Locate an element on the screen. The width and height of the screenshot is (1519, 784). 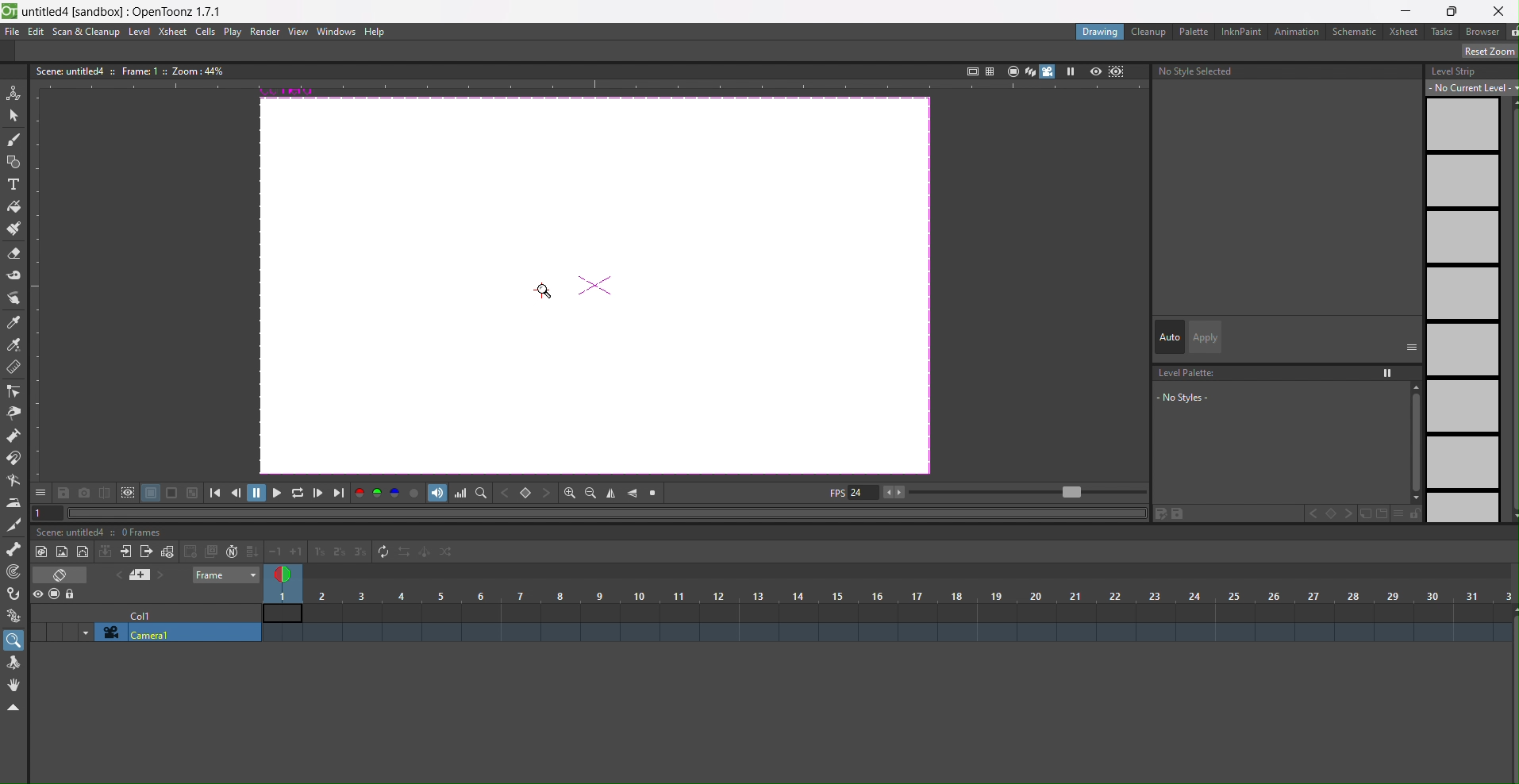
raster toonz level is located at coordinates (40, 551).